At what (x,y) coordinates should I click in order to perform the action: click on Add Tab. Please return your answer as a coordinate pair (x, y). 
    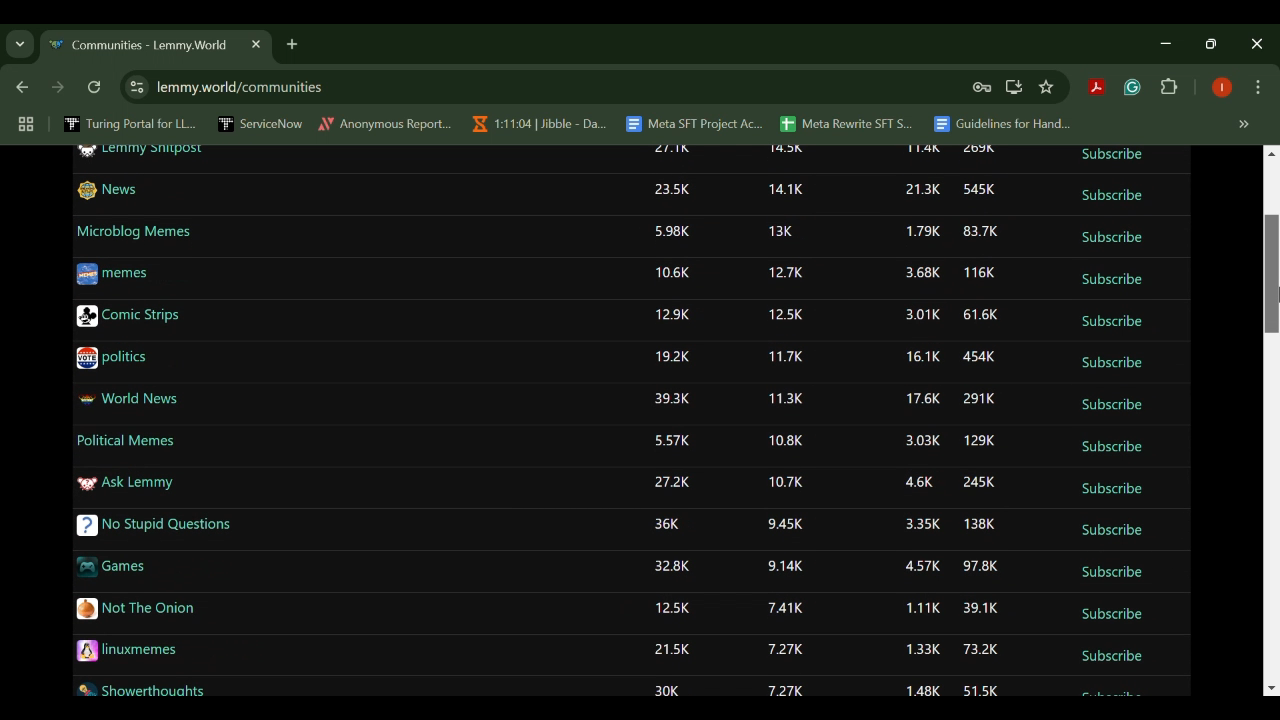
    Looking at the image, I should click on (291, 43).